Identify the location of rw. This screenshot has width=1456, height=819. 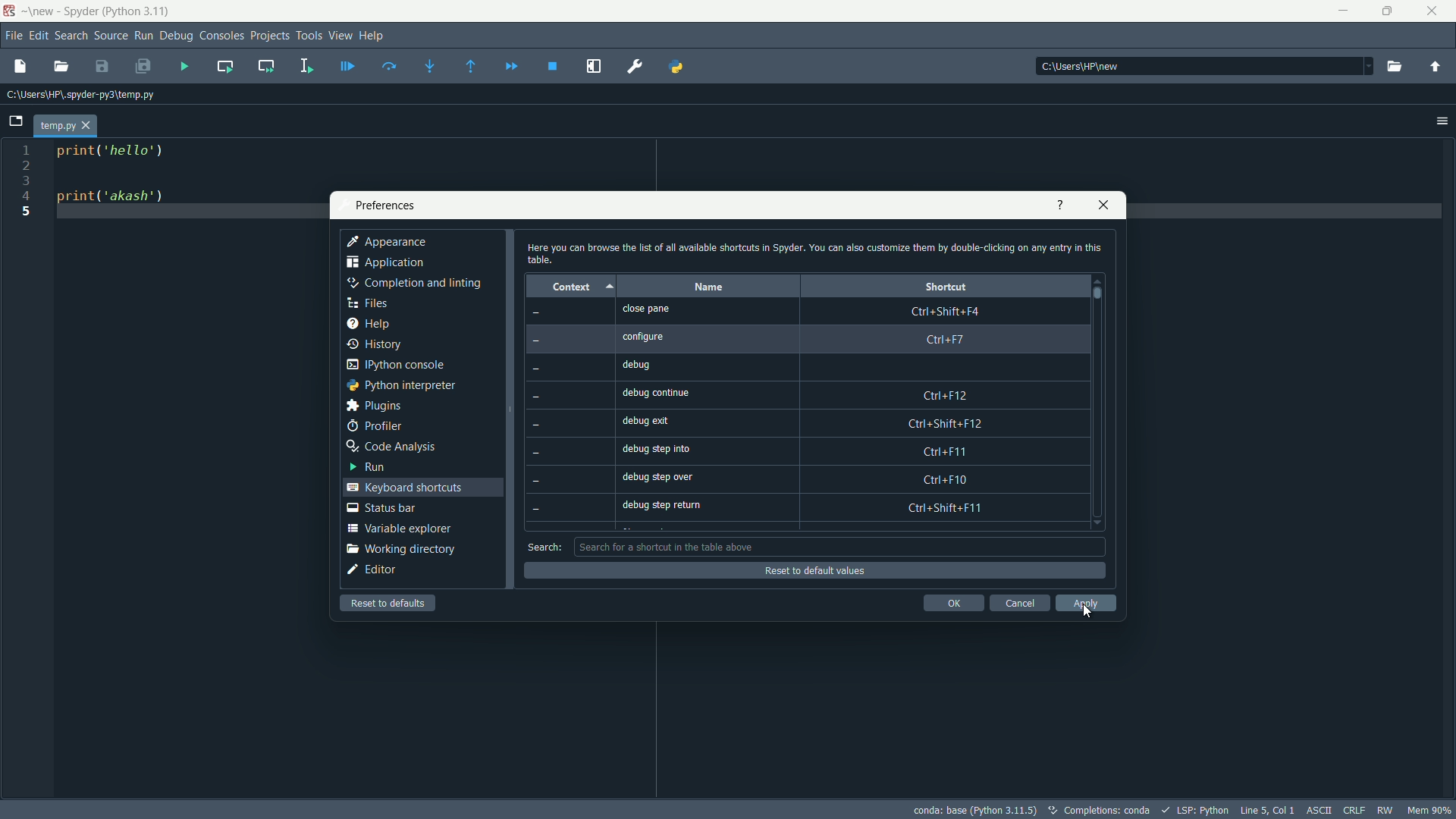
(1385, 811).